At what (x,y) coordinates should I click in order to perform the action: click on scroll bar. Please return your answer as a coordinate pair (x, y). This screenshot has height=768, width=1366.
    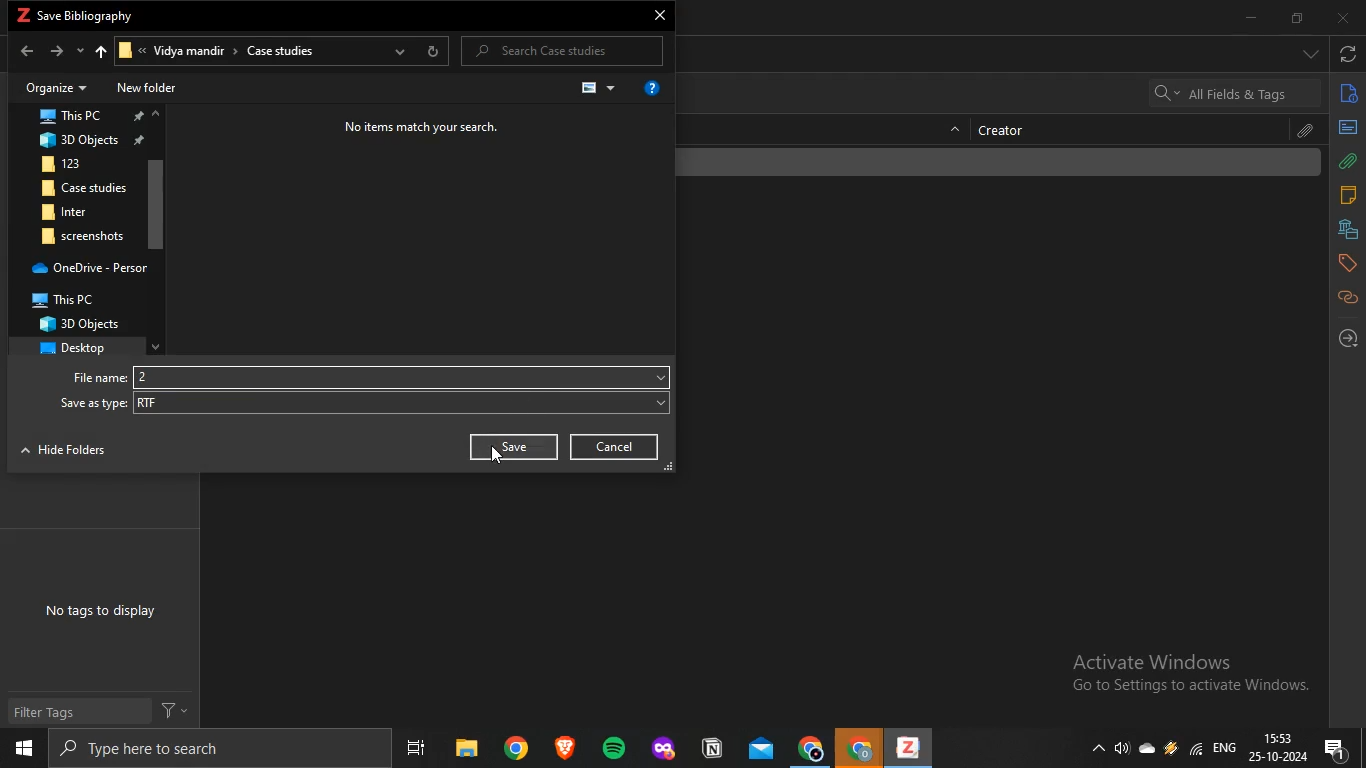
    Looking at the image, I should click on (156, 204).